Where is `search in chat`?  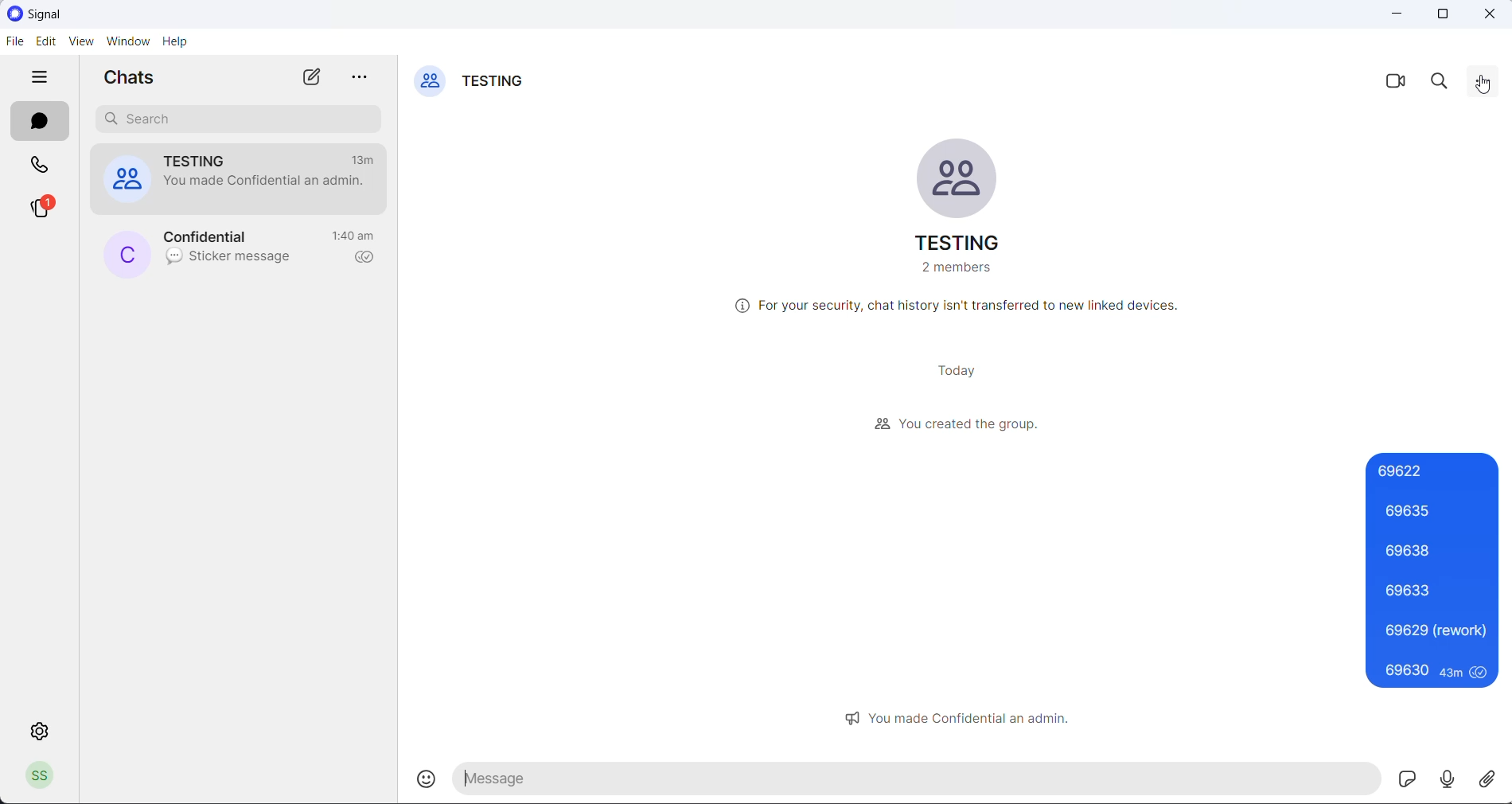 search in chat is located at coordinates (1443, 84).